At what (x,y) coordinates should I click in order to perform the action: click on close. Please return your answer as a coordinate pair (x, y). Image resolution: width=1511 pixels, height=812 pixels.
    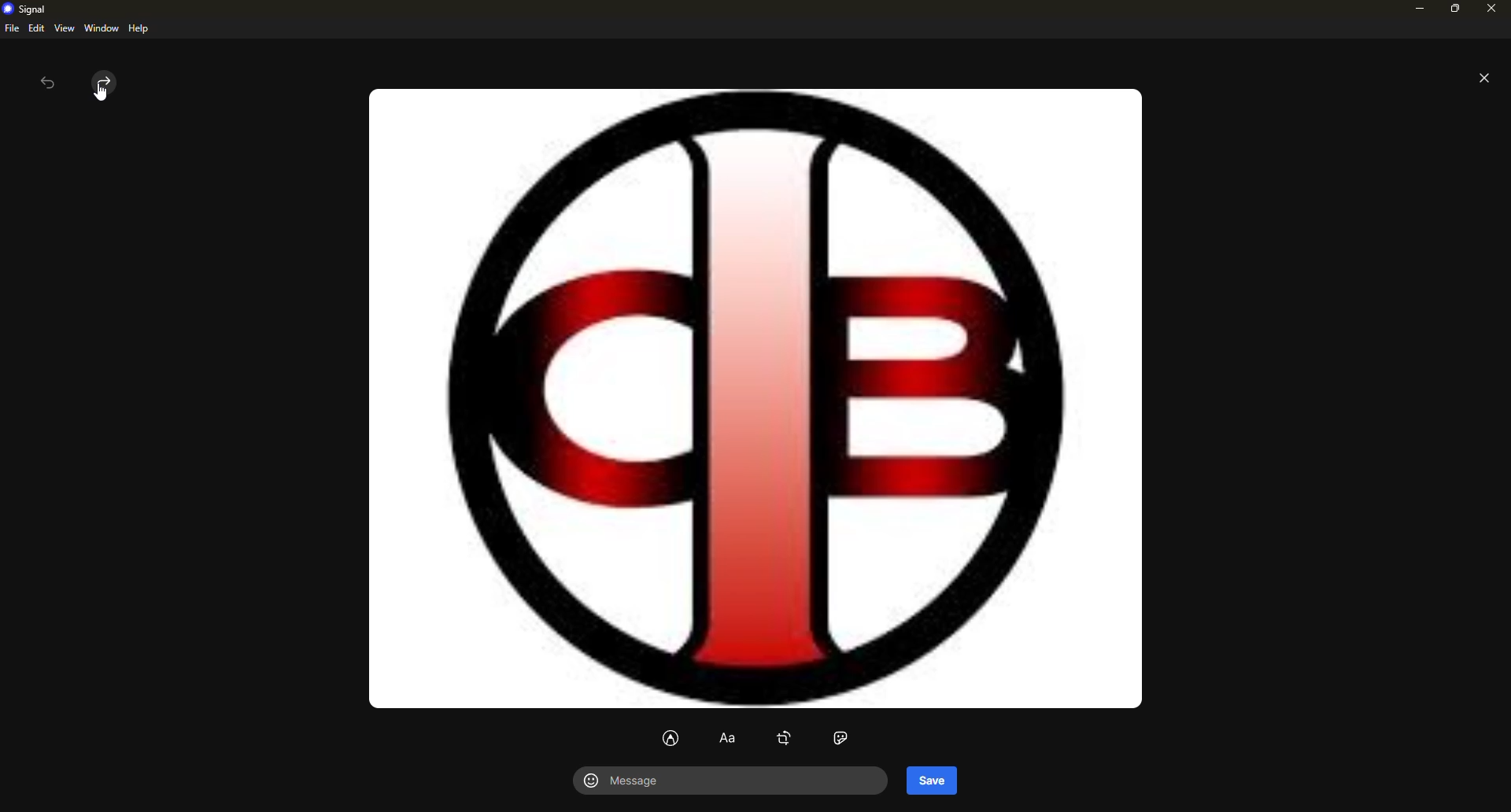
    Looking at the image, I should click on (1484, 80).